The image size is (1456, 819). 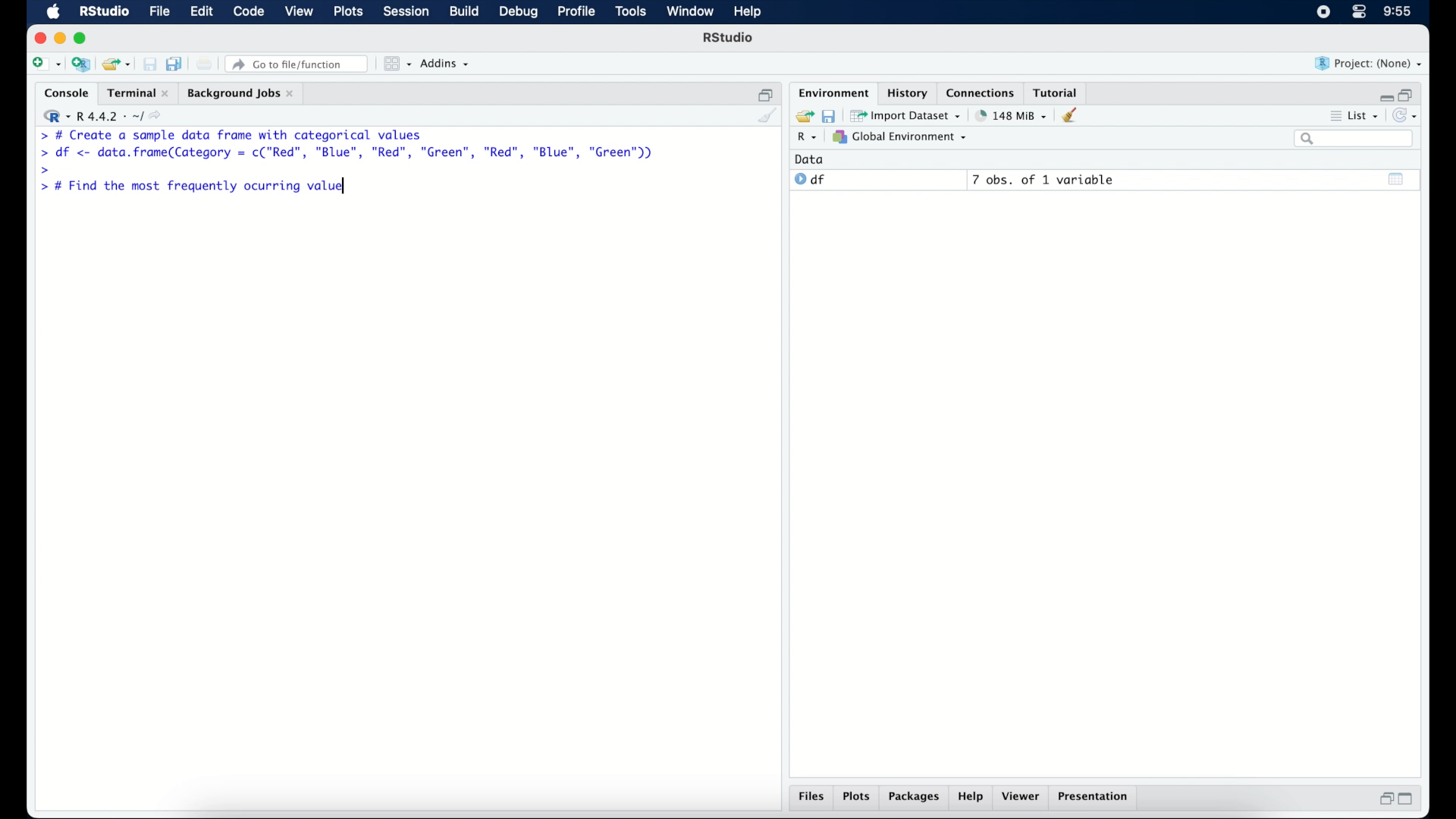 I want to click on maximize, so click(x=1407, y=801).